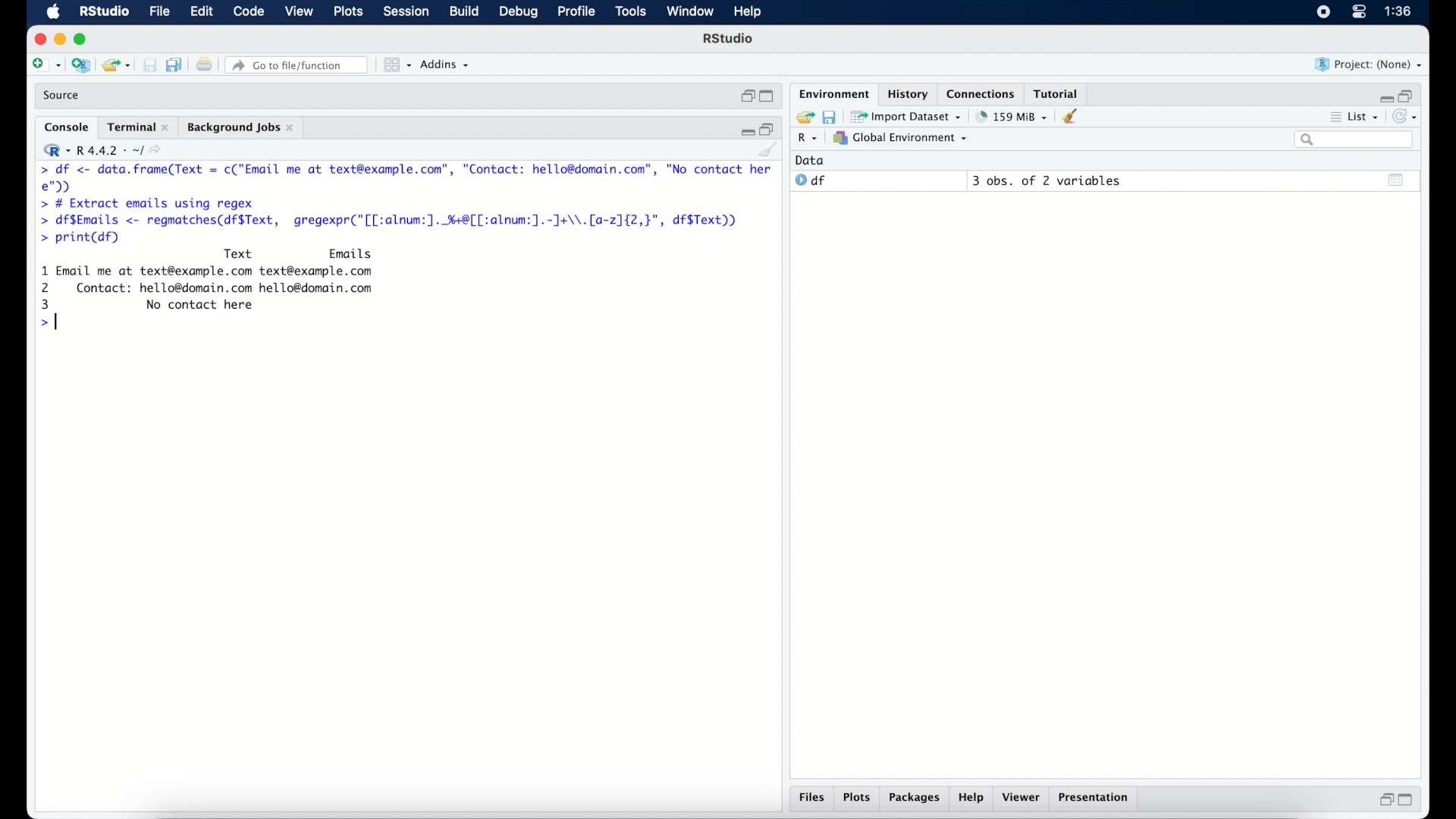 The image size is (1456, 819). What do you see at coordinates (406, 12) in the screenshot?
I see `session` at bounding box center [406, 12].